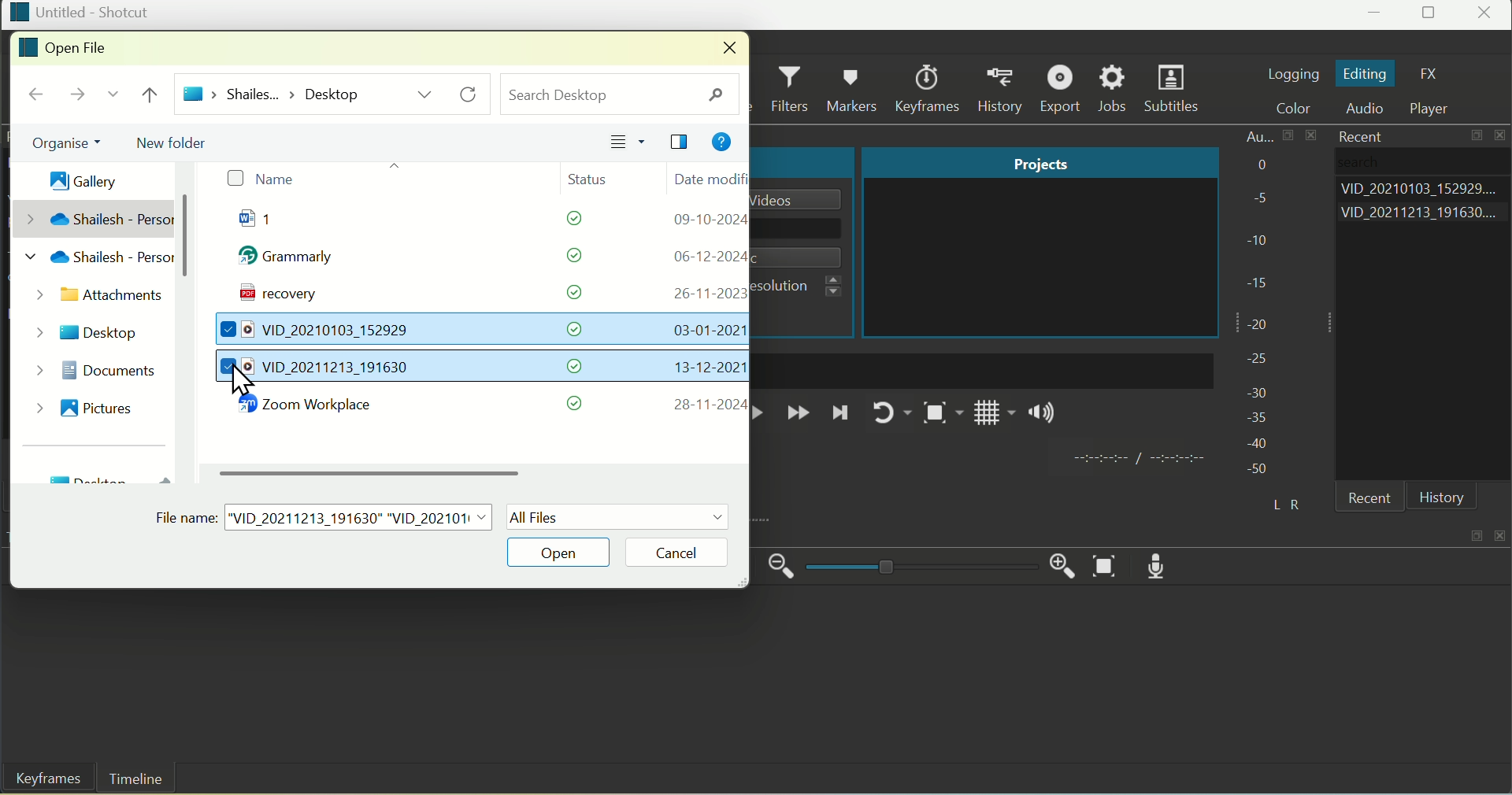 The height and width of the screenshot is (795, 1512). What do you see at coordinates (74, 97) in the screenshot?
I see `next` at bounding box center [74, 97].